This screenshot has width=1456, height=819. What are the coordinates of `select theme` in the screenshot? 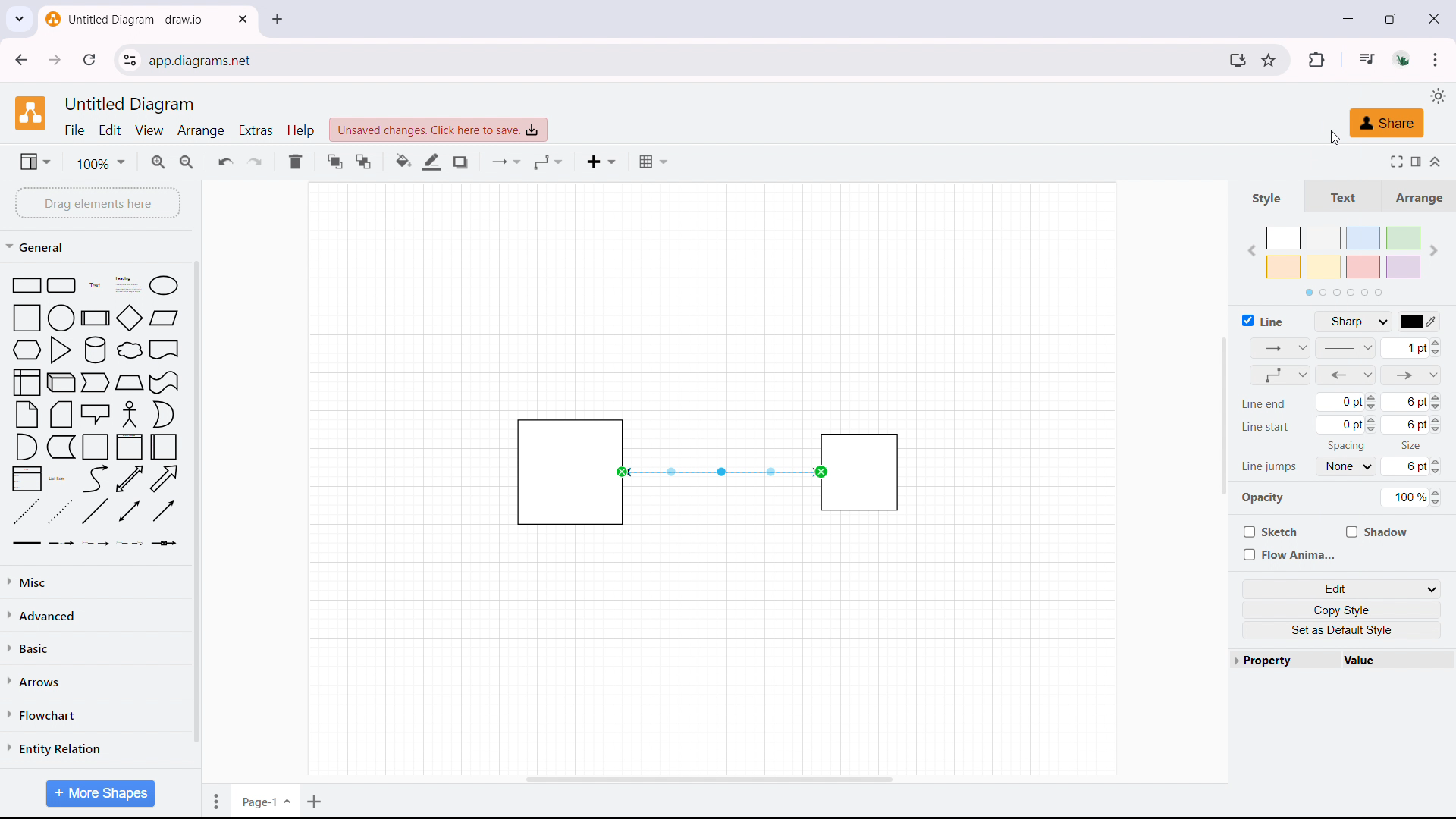 It's located at (1437, 96).